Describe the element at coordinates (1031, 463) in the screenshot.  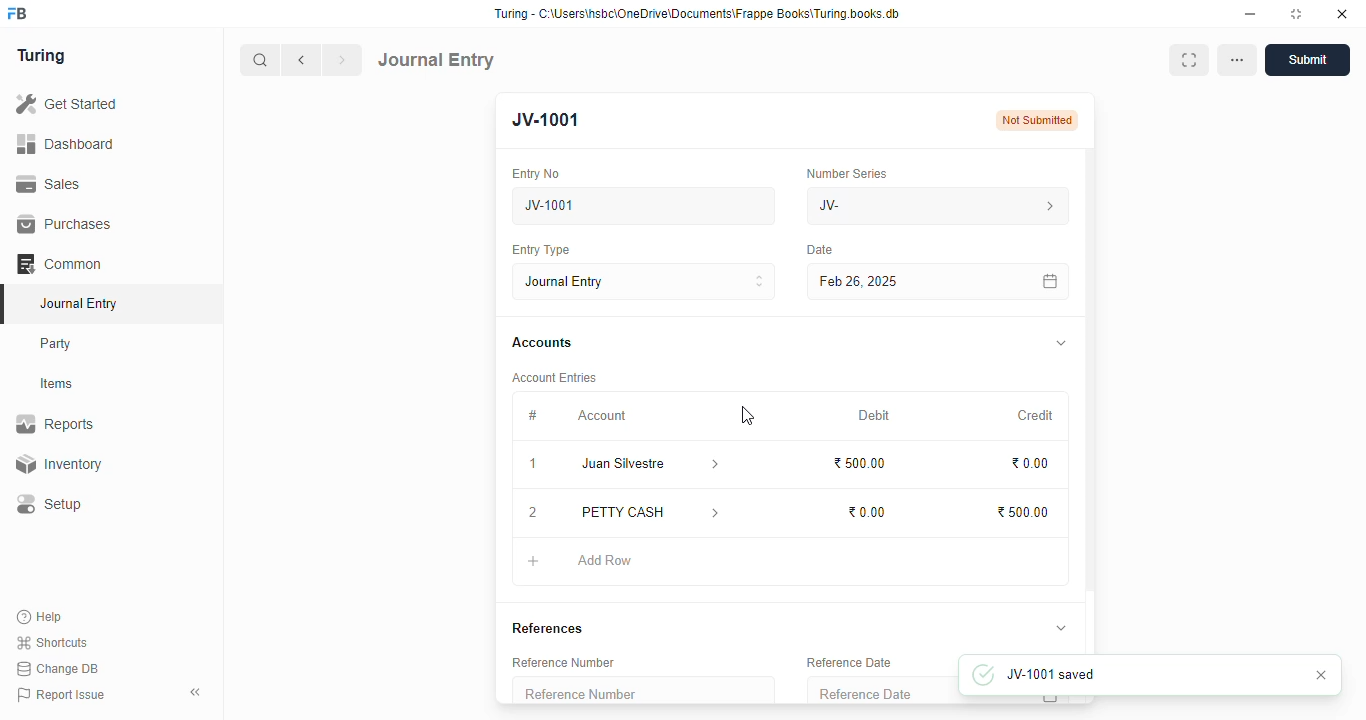
I see `₹0.00` at that location.